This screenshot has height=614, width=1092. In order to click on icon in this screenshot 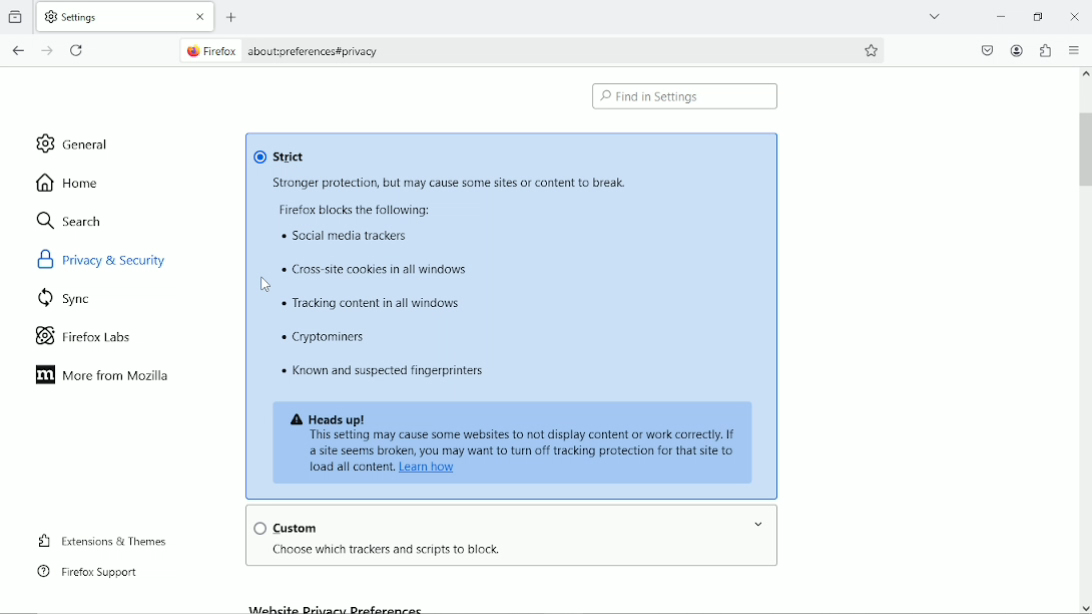, I will do `click(295, 418)`.